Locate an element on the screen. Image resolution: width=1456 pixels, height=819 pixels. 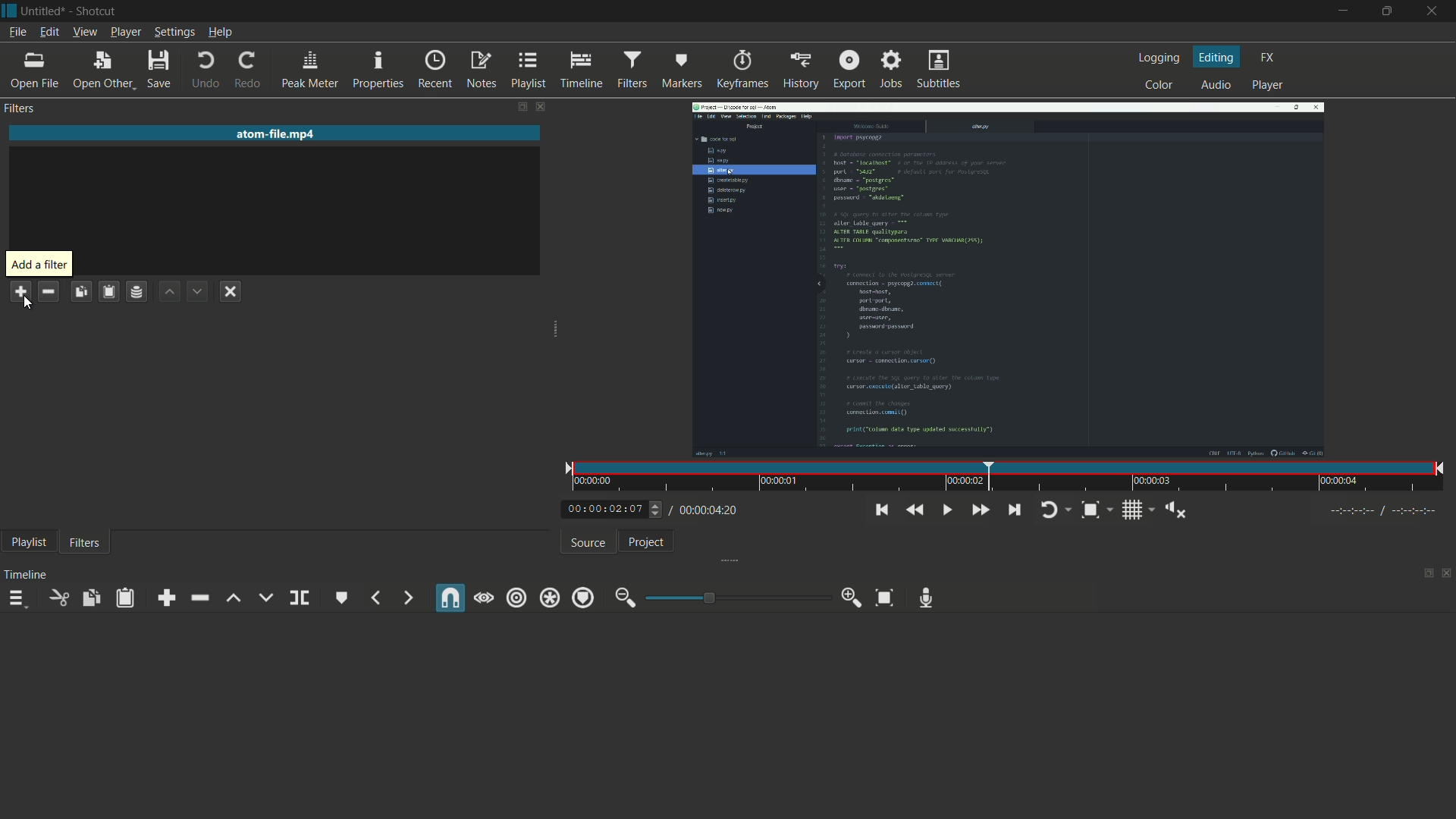
ripple all tracks is located at coordinates (548, 599).